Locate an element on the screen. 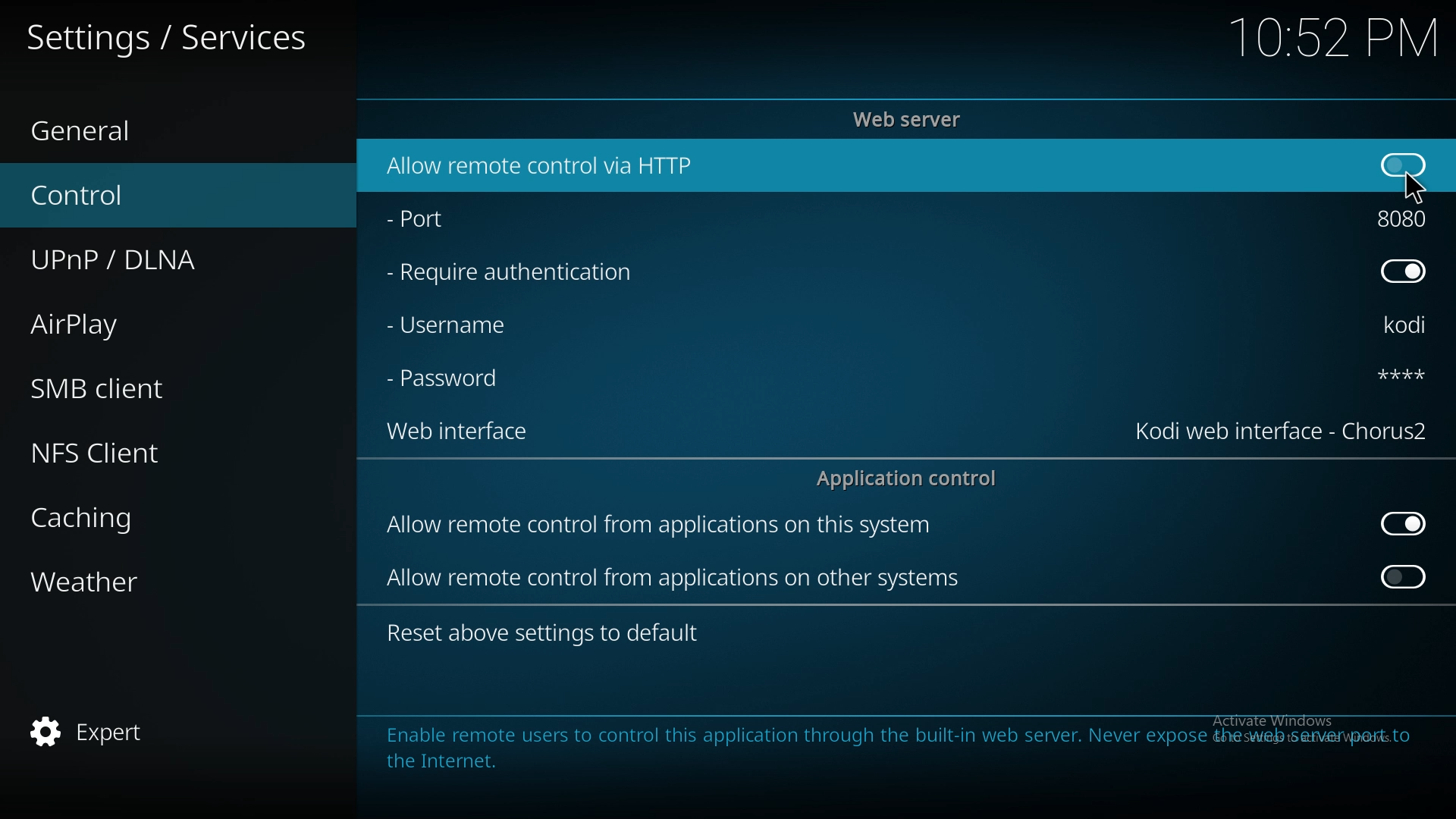  allow remote control from apps on other systems is located at coordinates (676, 578).